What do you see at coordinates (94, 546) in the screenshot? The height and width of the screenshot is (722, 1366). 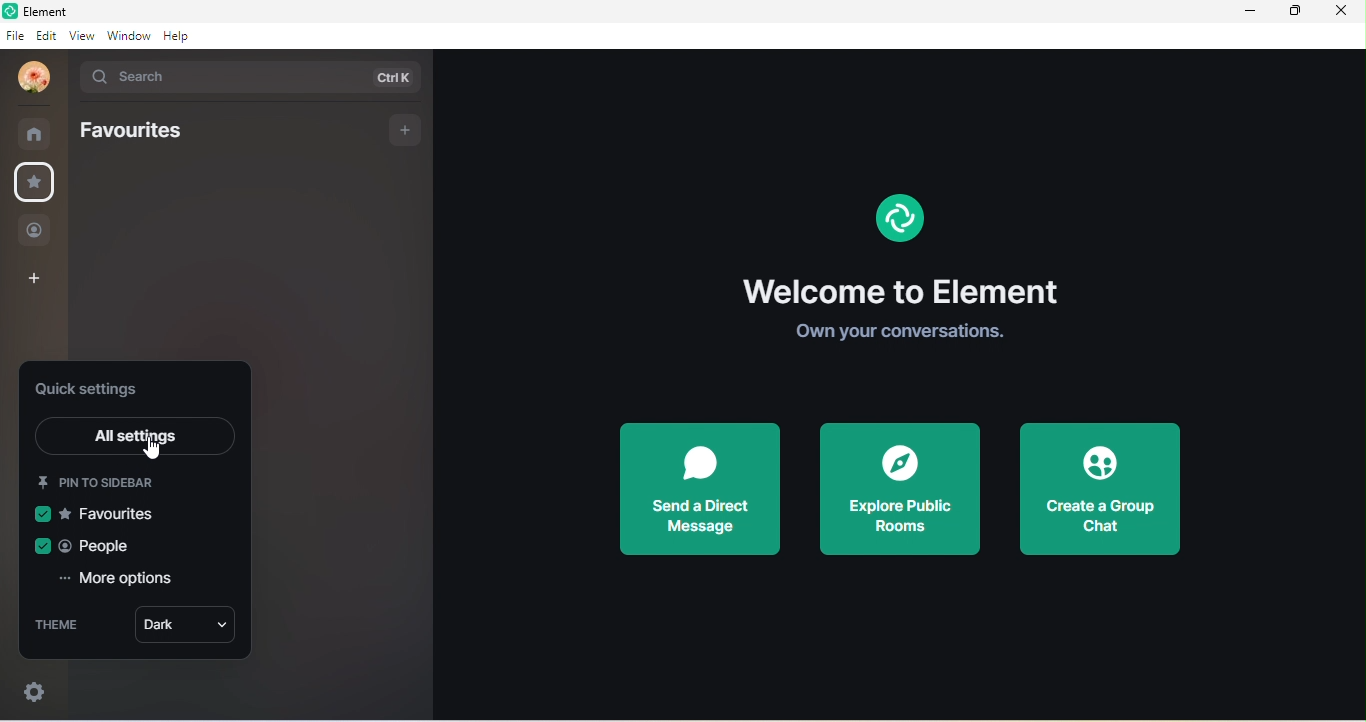 I see `people` at bounding box center [94, 546].